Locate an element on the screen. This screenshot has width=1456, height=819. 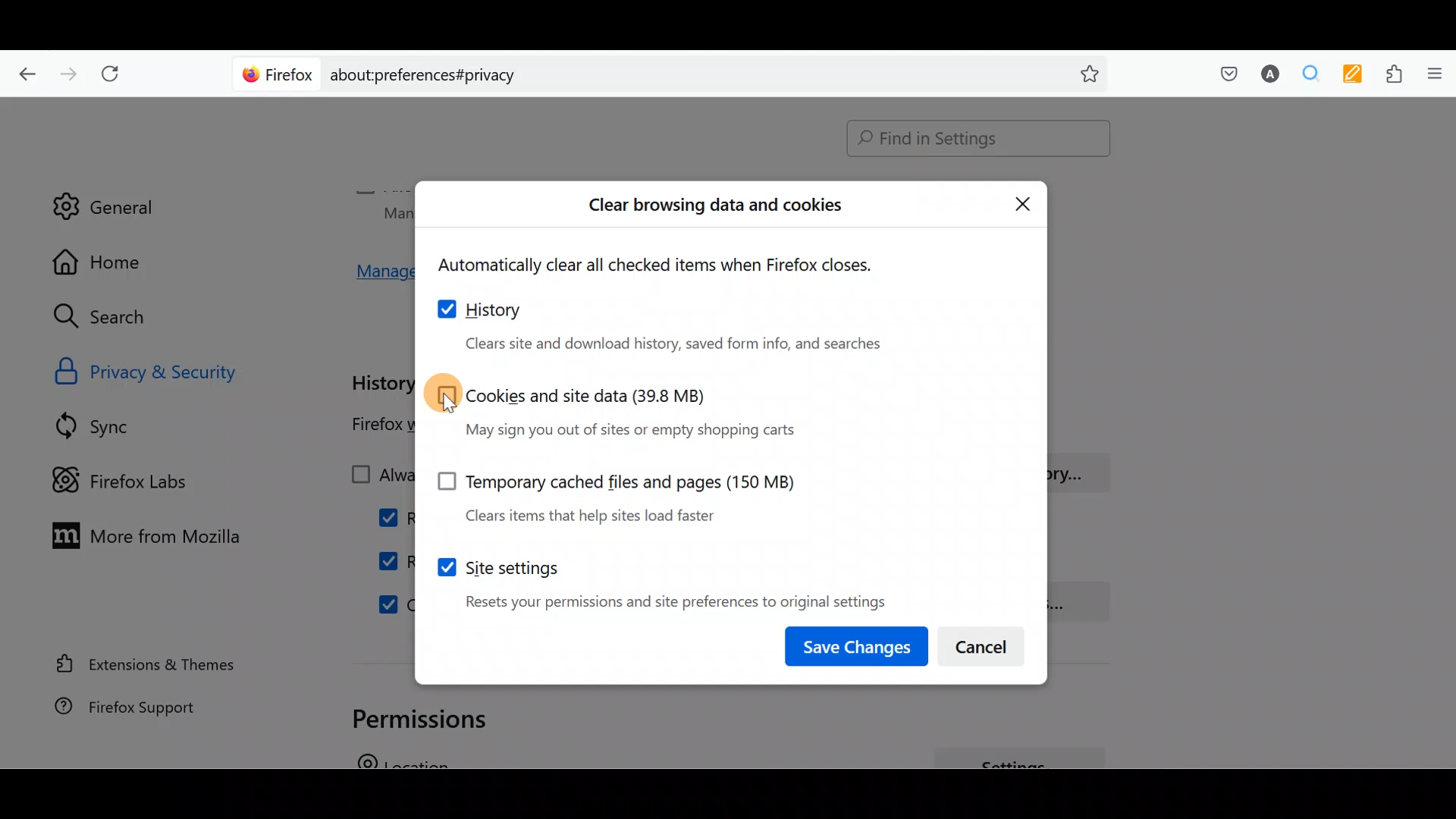
Close is located at coordinates (1023, 202).